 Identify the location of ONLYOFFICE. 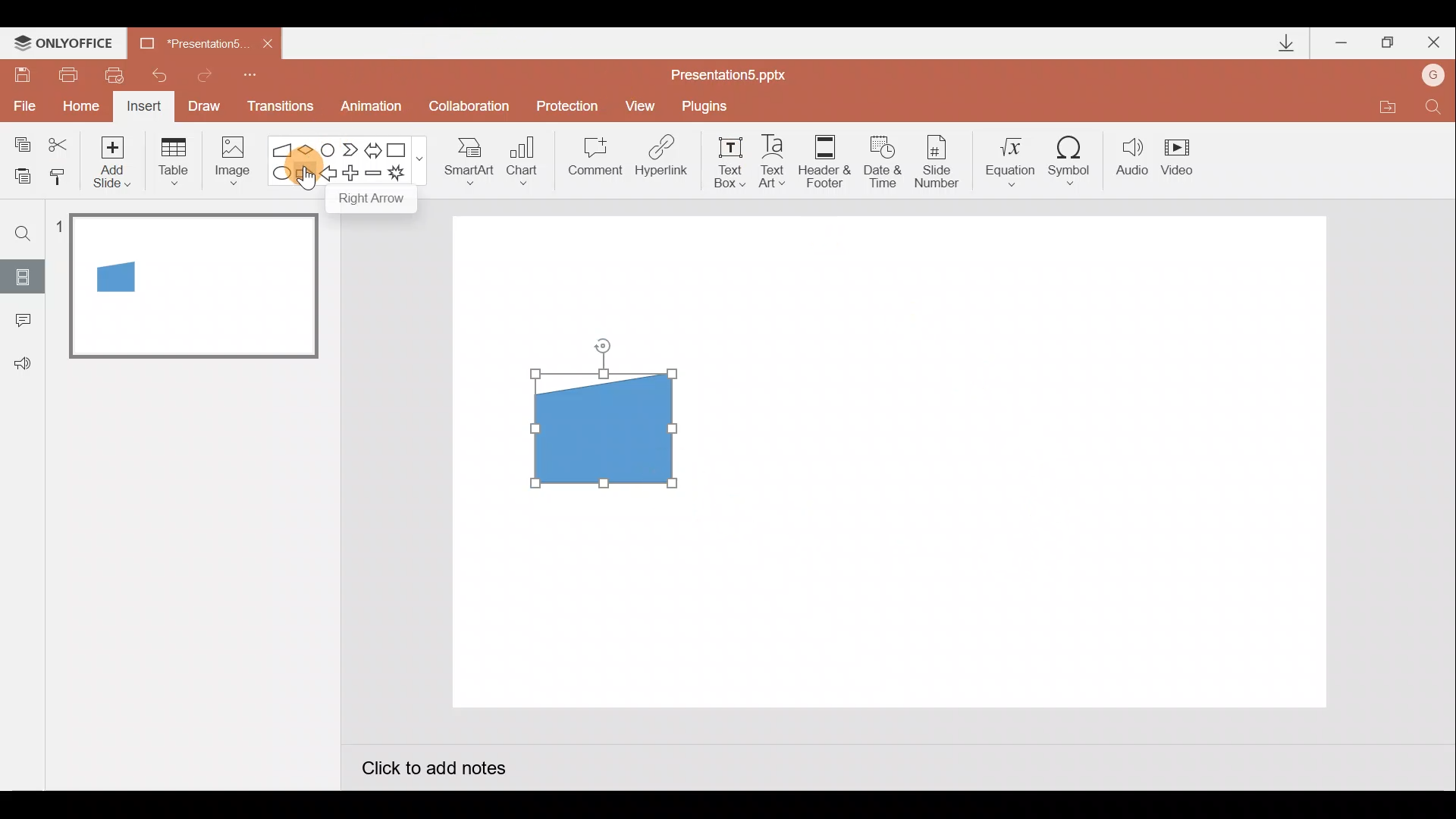
(67, 42).